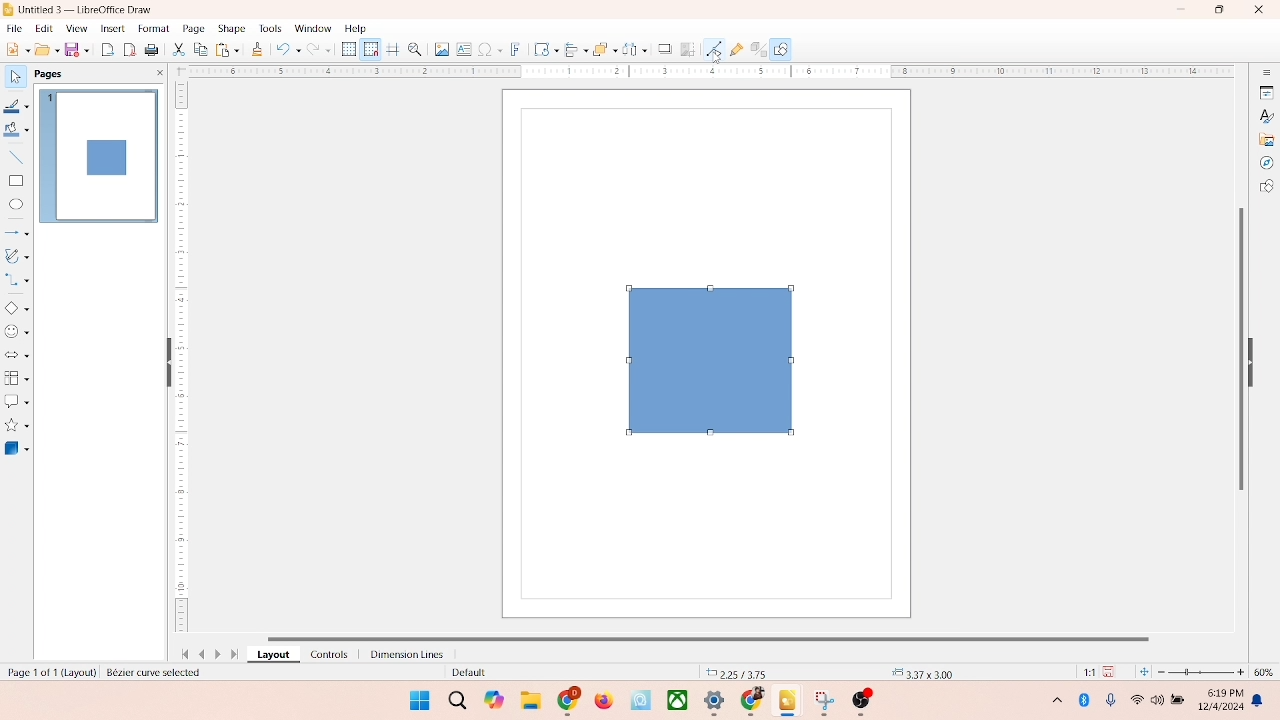 The image size is (1280, 720). Describe the element at coordinates (348, 50) in the screenshot. I see `show grid` at that location.